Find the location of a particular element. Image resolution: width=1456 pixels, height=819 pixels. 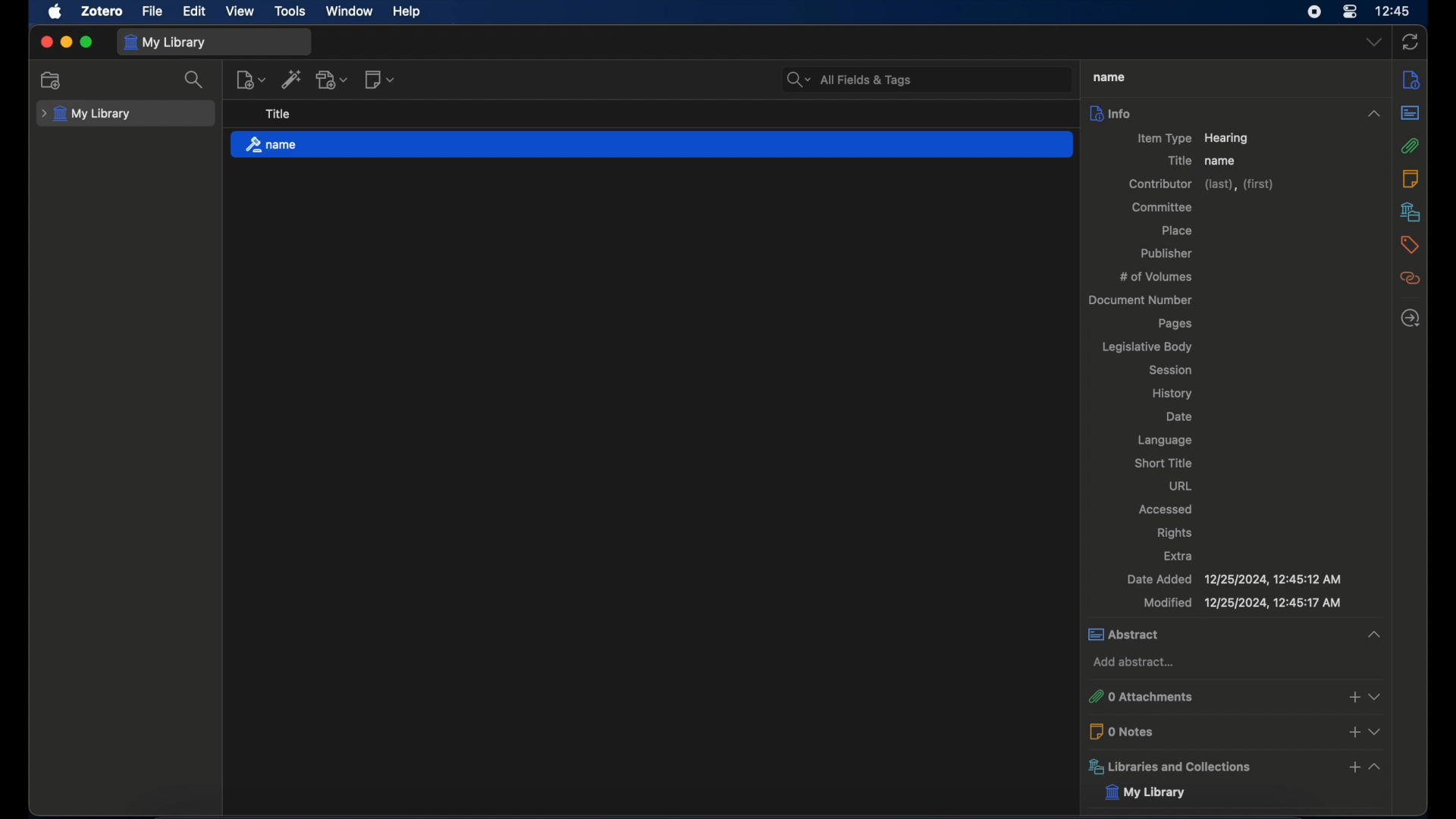

name is located at coordinates (1219, 162).